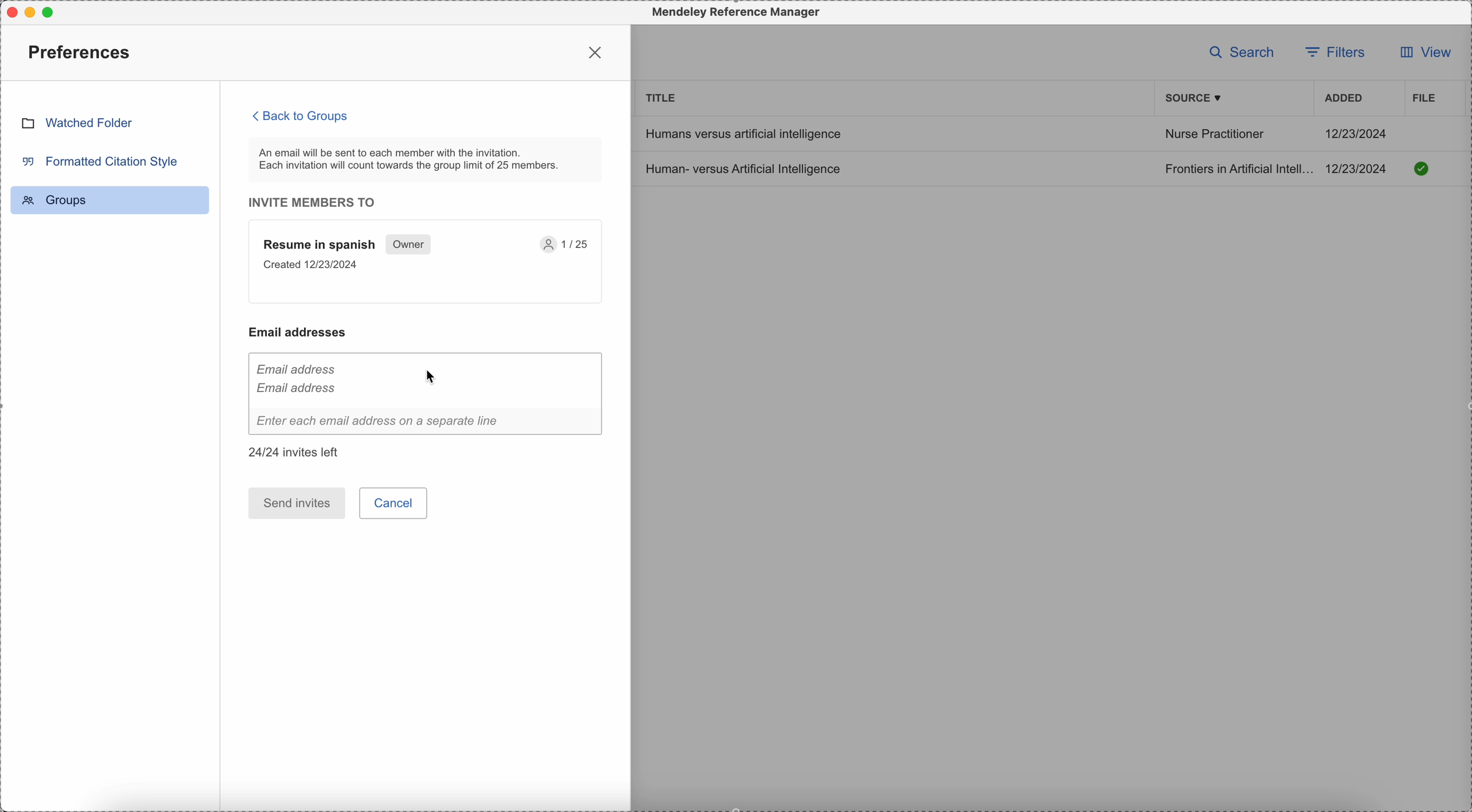  Describe the element at coordinates (77, 122) in the screenshot. I see `watched folder` at that location.